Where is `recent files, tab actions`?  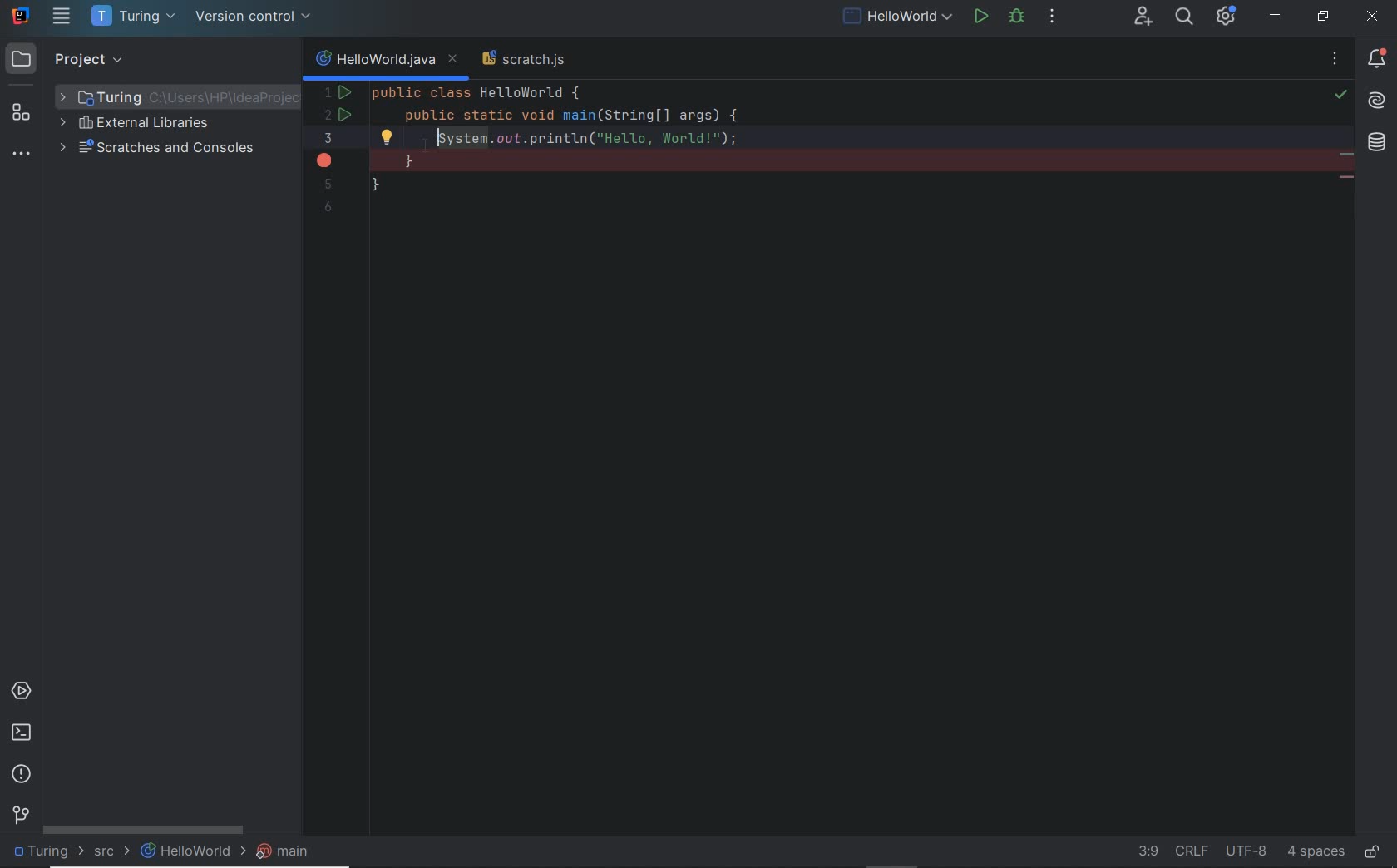
recent files, tab actions is located at coordinates (1335, 61).